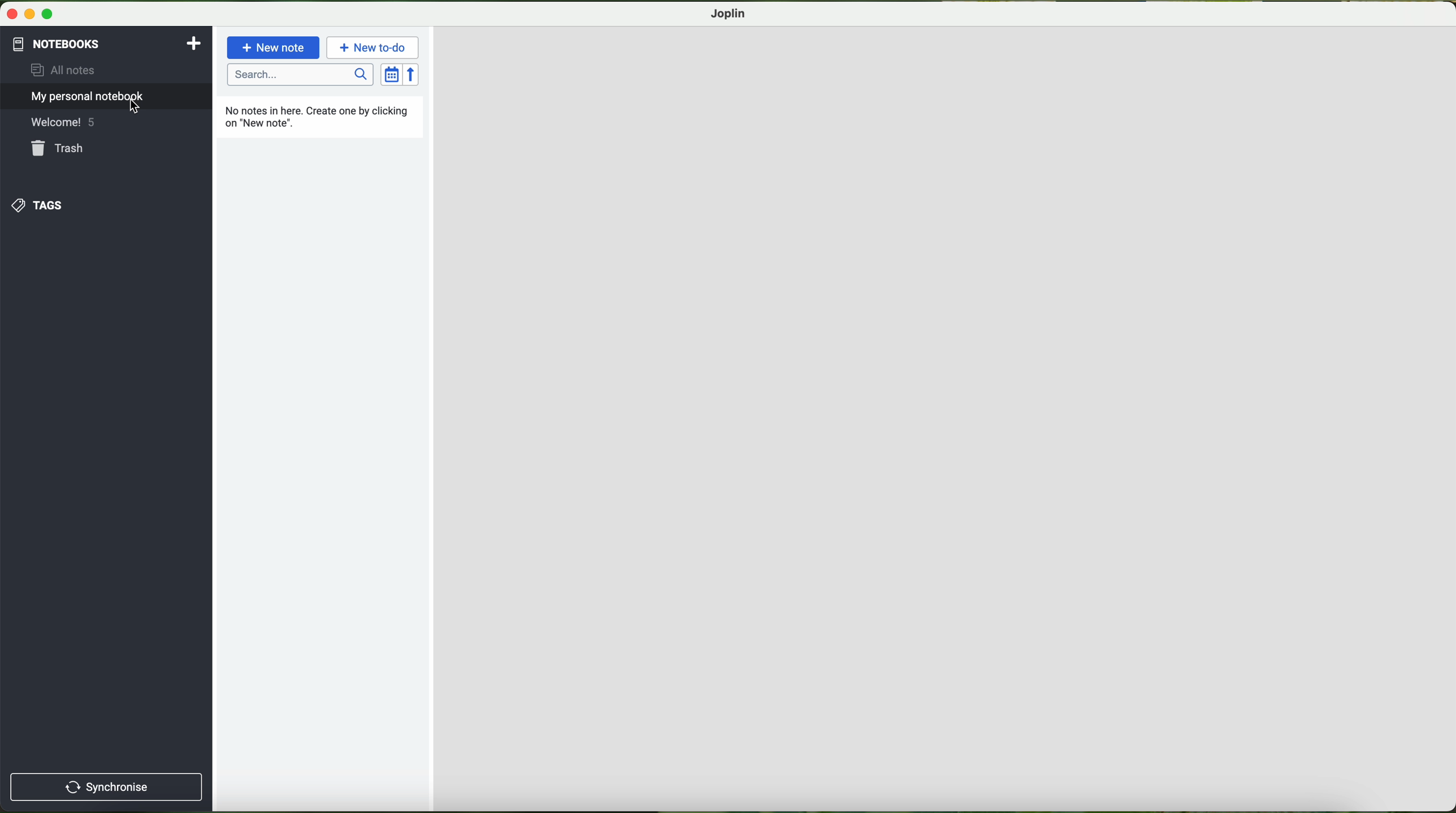  What do you see at coordinates (301, 75) in the screenshot?
I see `search bar` at bounding box center [301, 75].